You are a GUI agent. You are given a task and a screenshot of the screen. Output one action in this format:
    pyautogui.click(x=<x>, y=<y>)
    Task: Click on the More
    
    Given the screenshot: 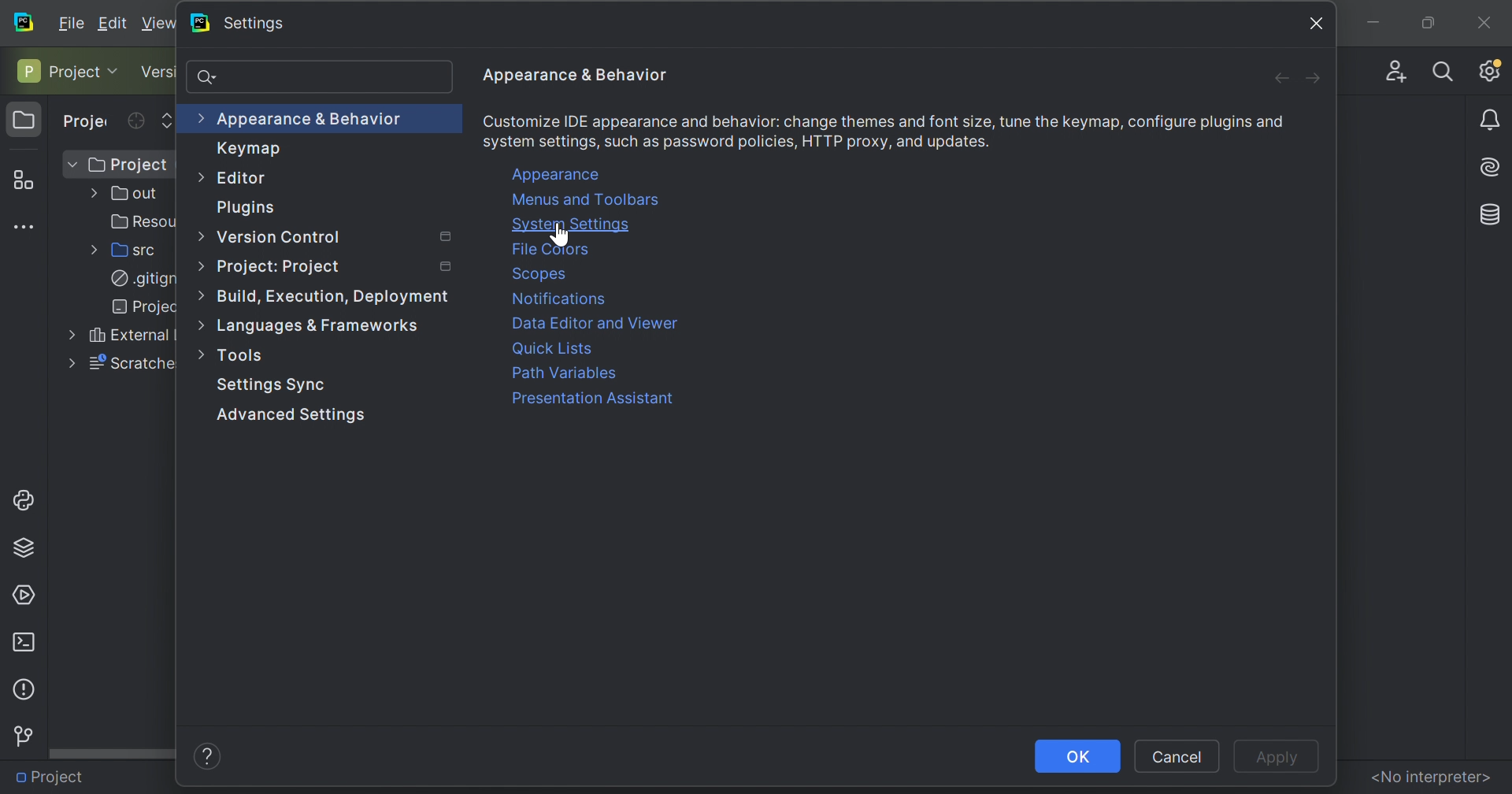 What is the action you would take?
    pyautogui.click(x=204, y=265)
    